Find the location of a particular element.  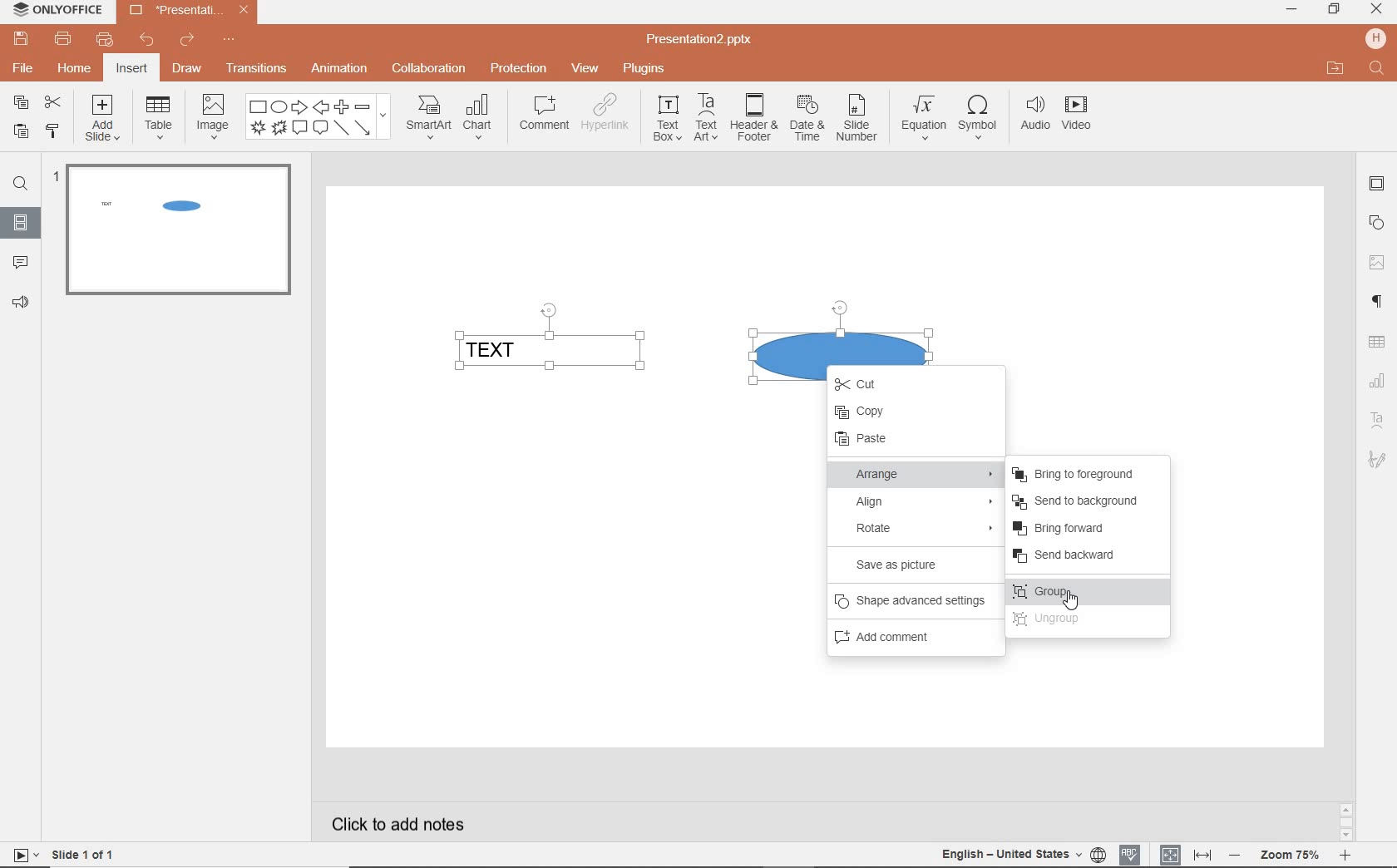

chart is located at coordinates (481, 116).